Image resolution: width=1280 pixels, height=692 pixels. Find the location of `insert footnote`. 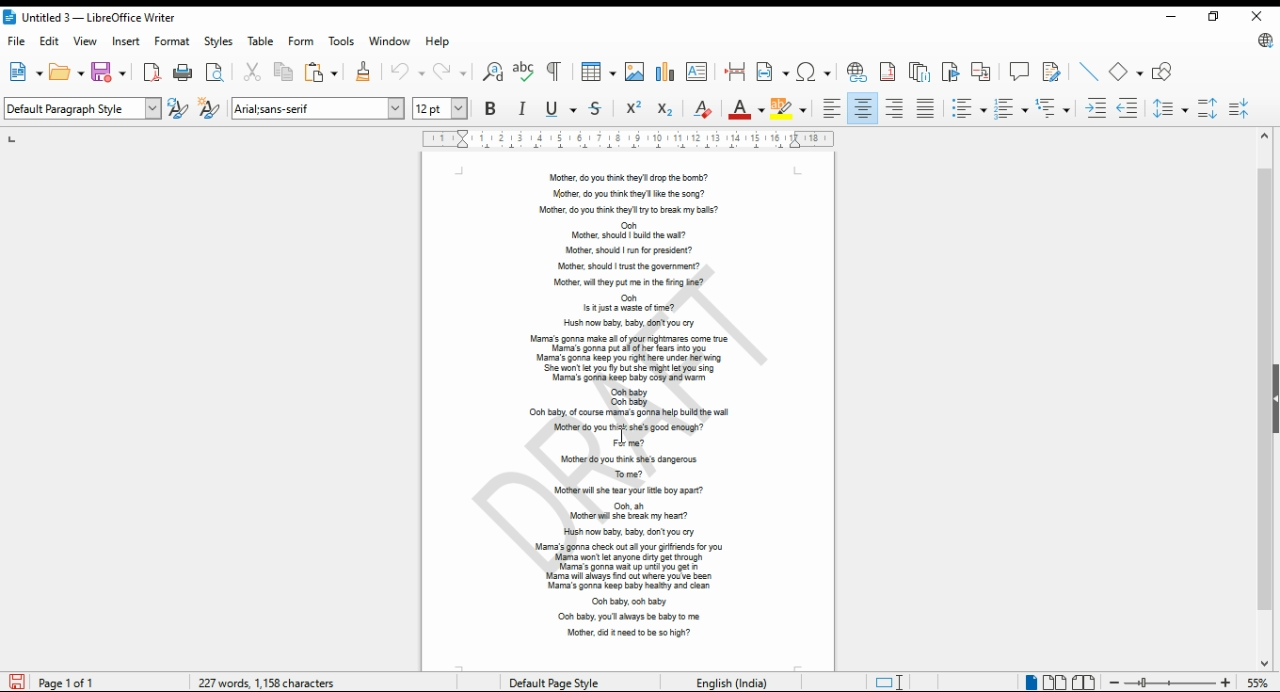

insert footnote is located at coordinates (889, 72).